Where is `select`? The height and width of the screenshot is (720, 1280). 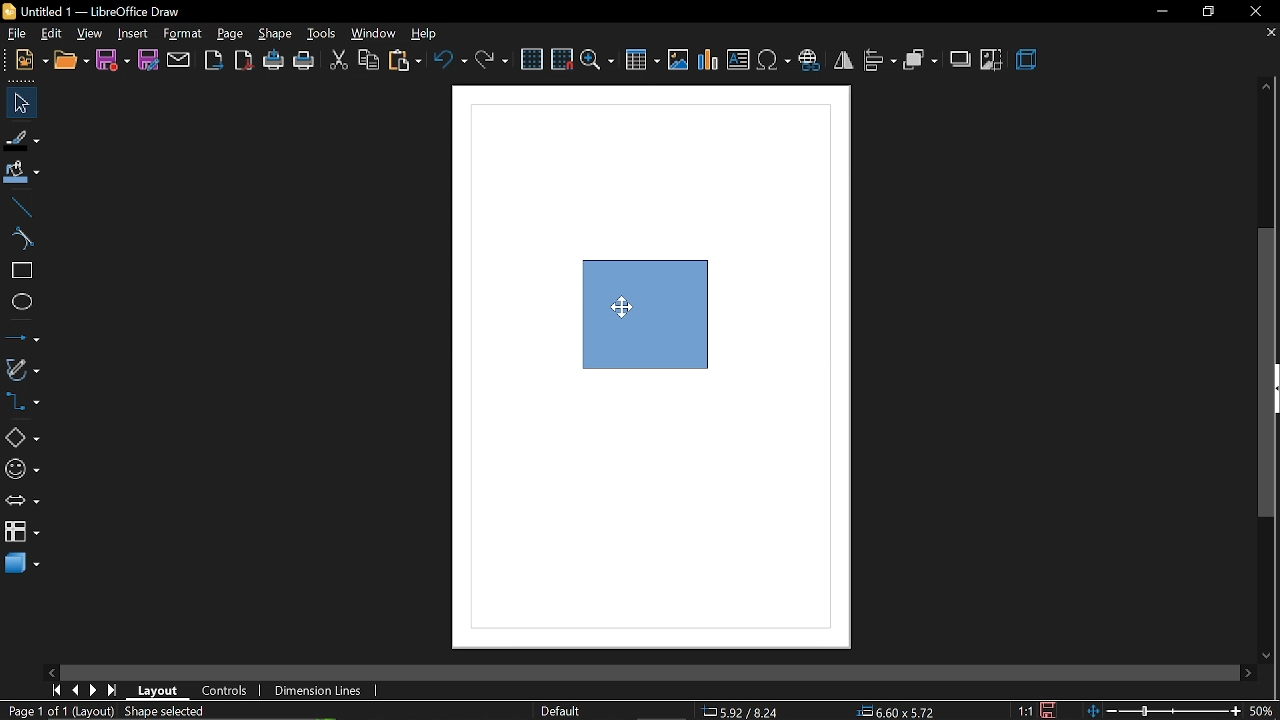
select is located at coordinates (21, 103).